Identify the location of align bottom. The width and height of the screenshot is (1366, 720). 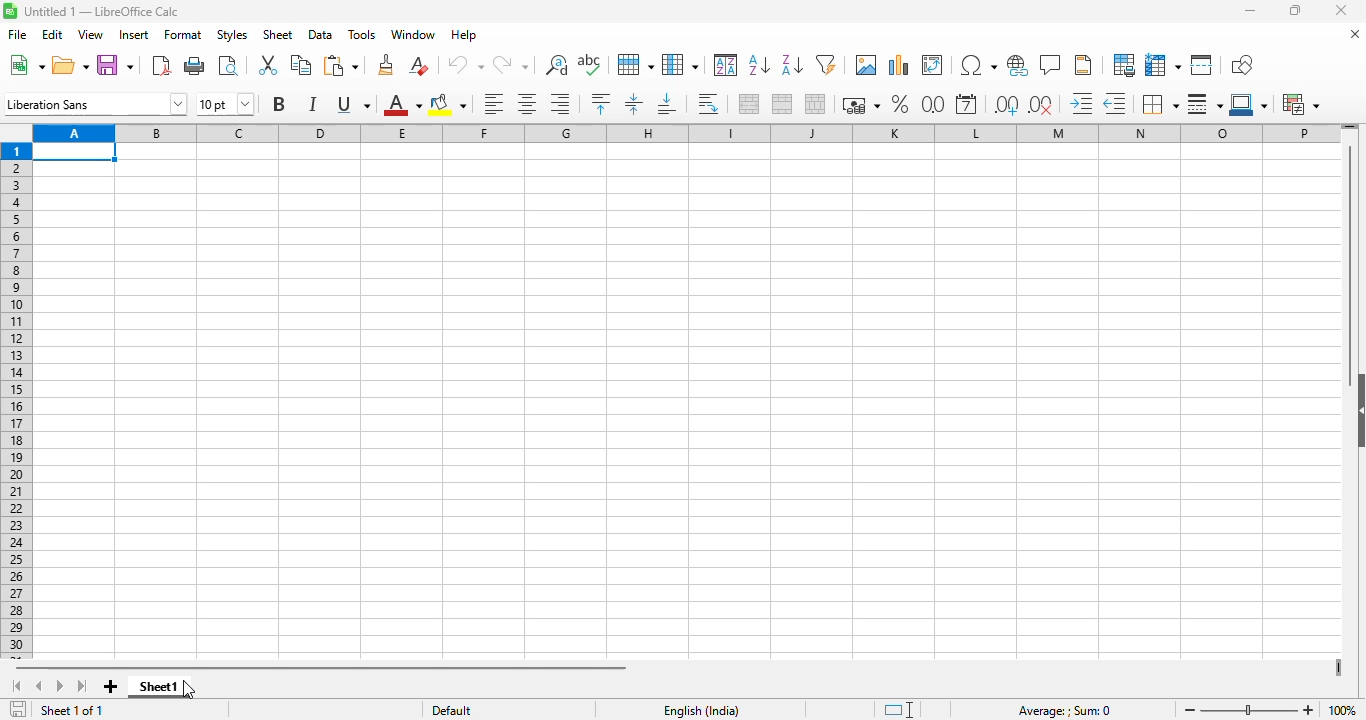
(668, 104).